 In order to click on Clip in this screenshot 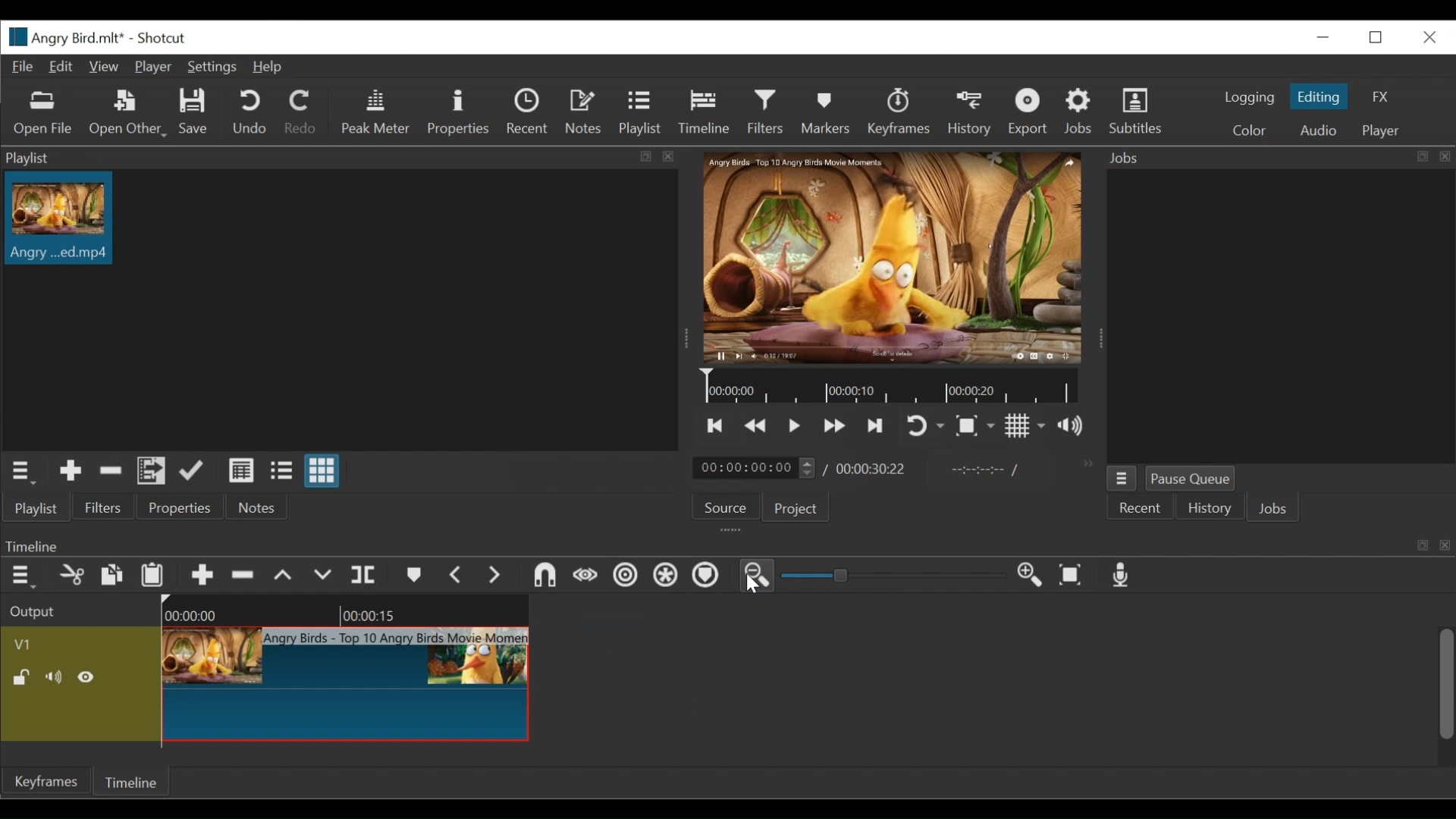, I will do `click(350, 685)`.